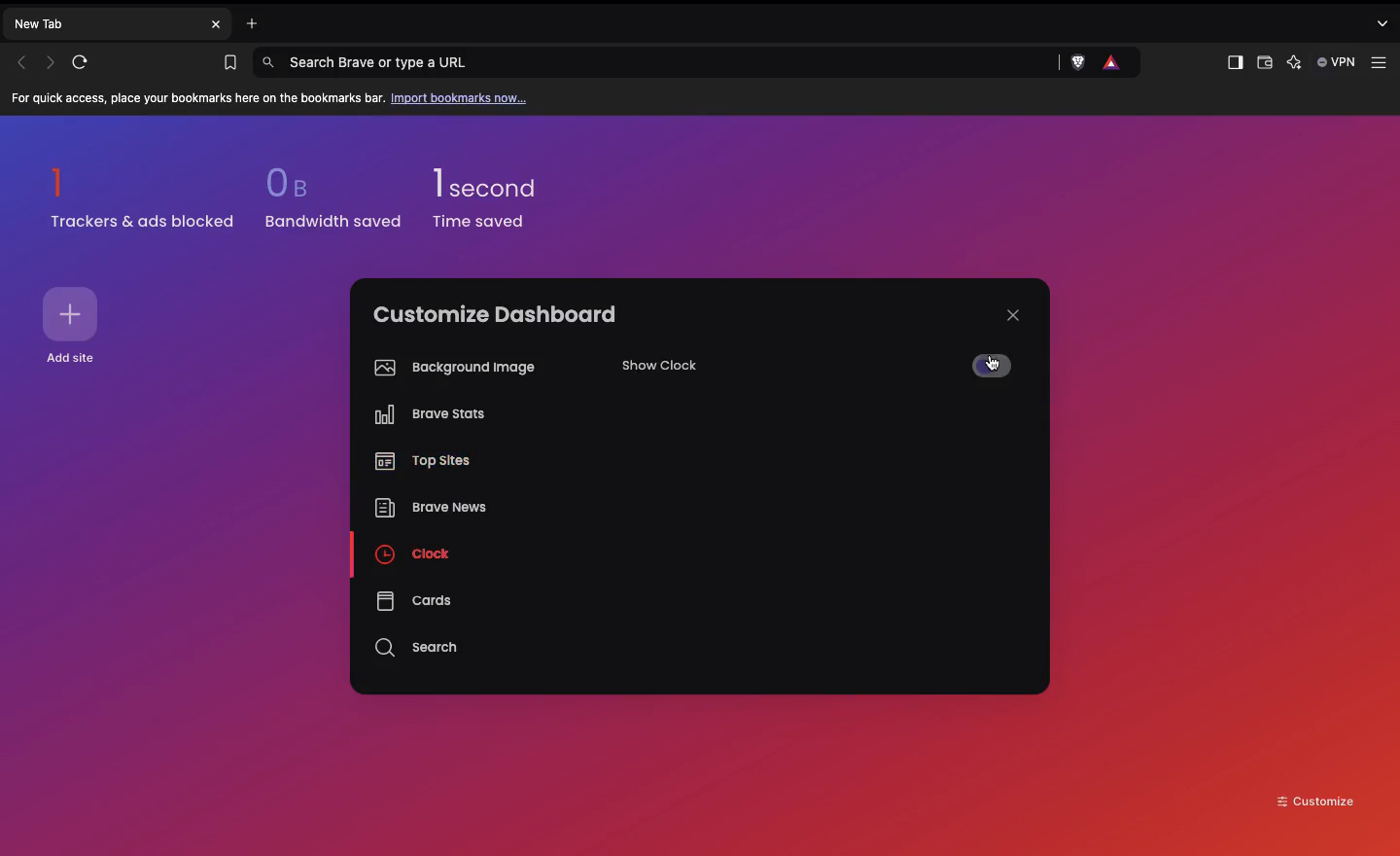  I want to click on Sidebar, so click(1233, 63).